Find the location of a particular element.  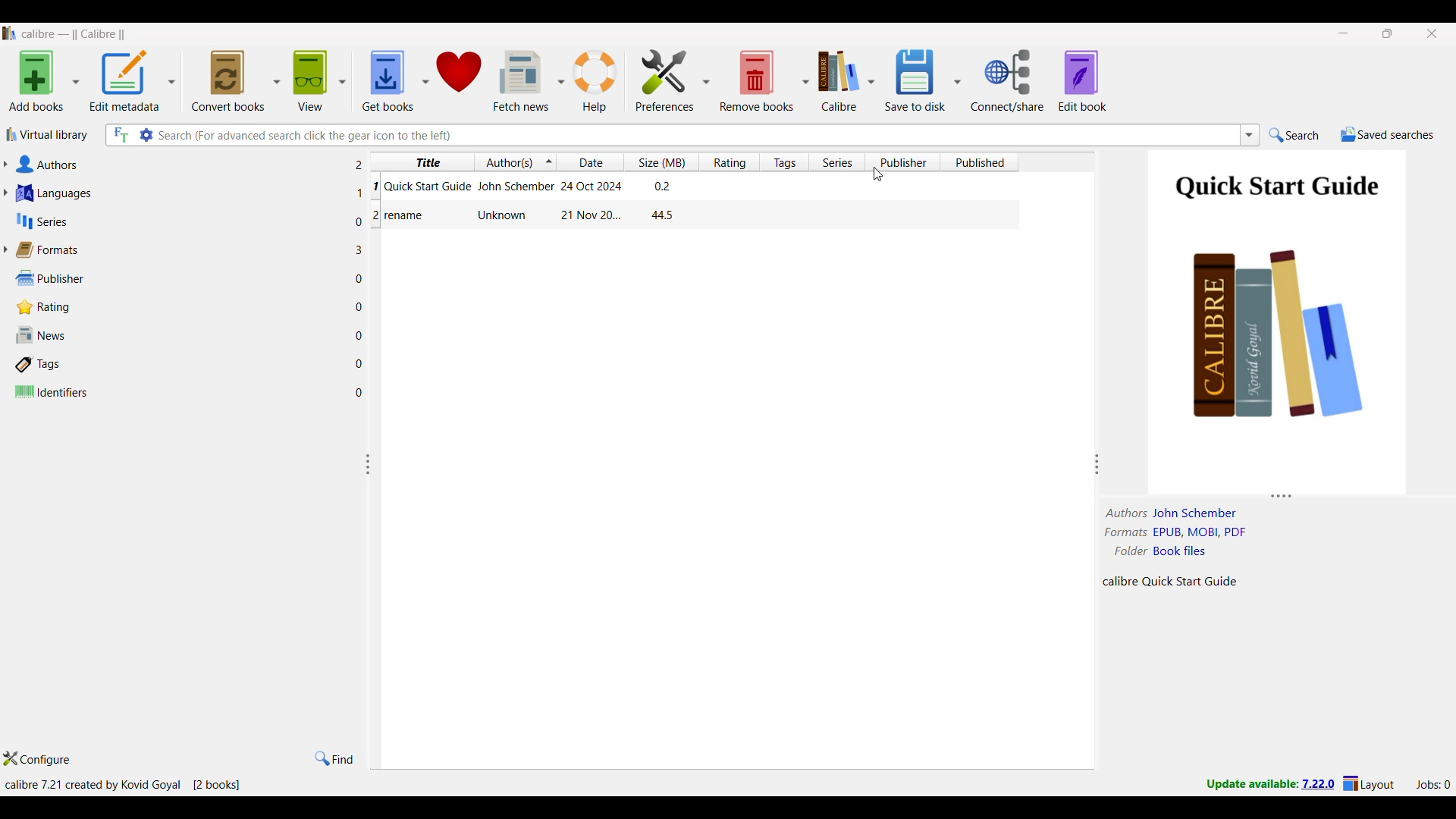

Edit book is located at coordinates (1082, 80).